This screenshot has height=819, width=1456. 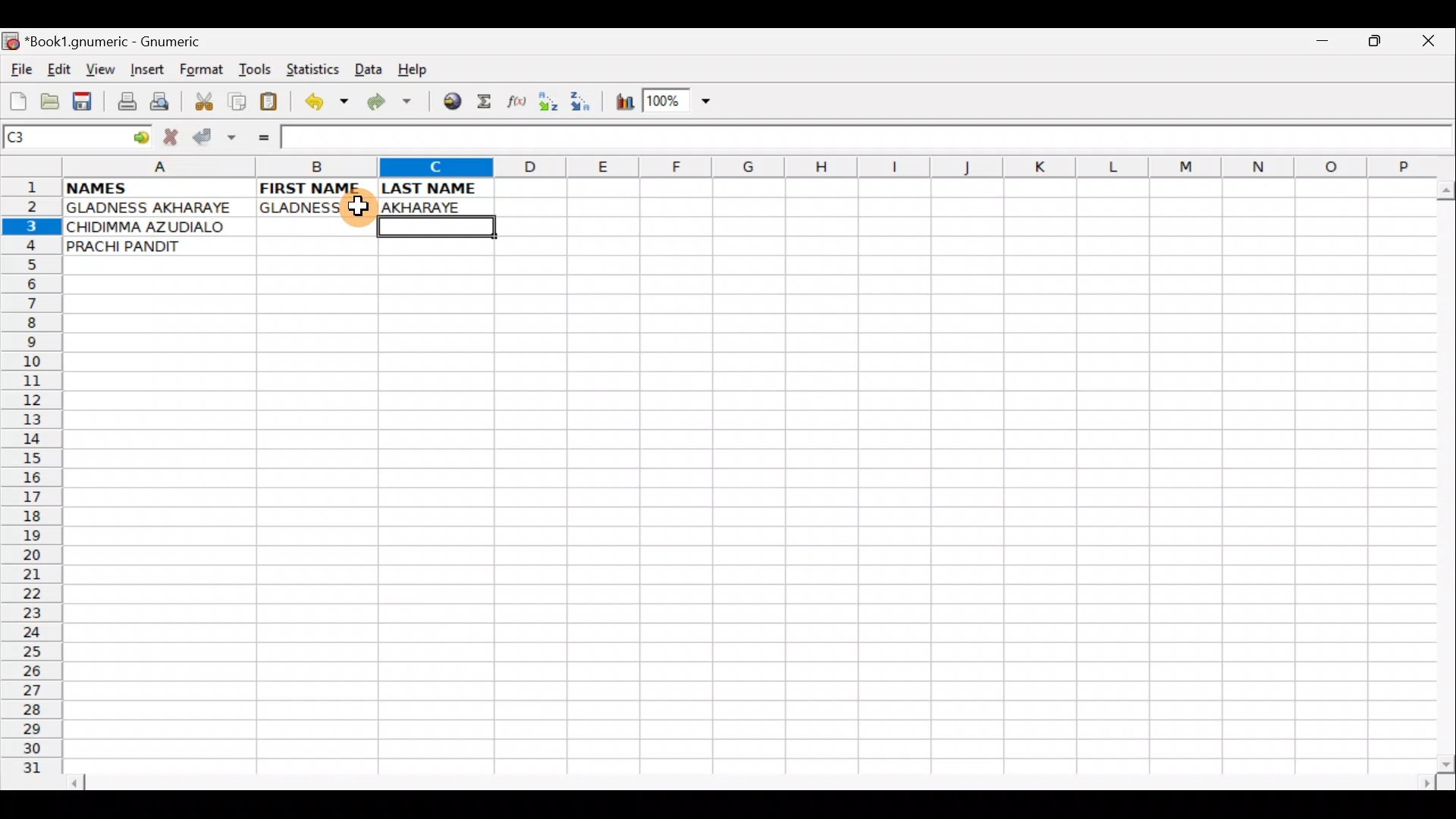 I want to click on NAMES, so click(x=142, y=187).